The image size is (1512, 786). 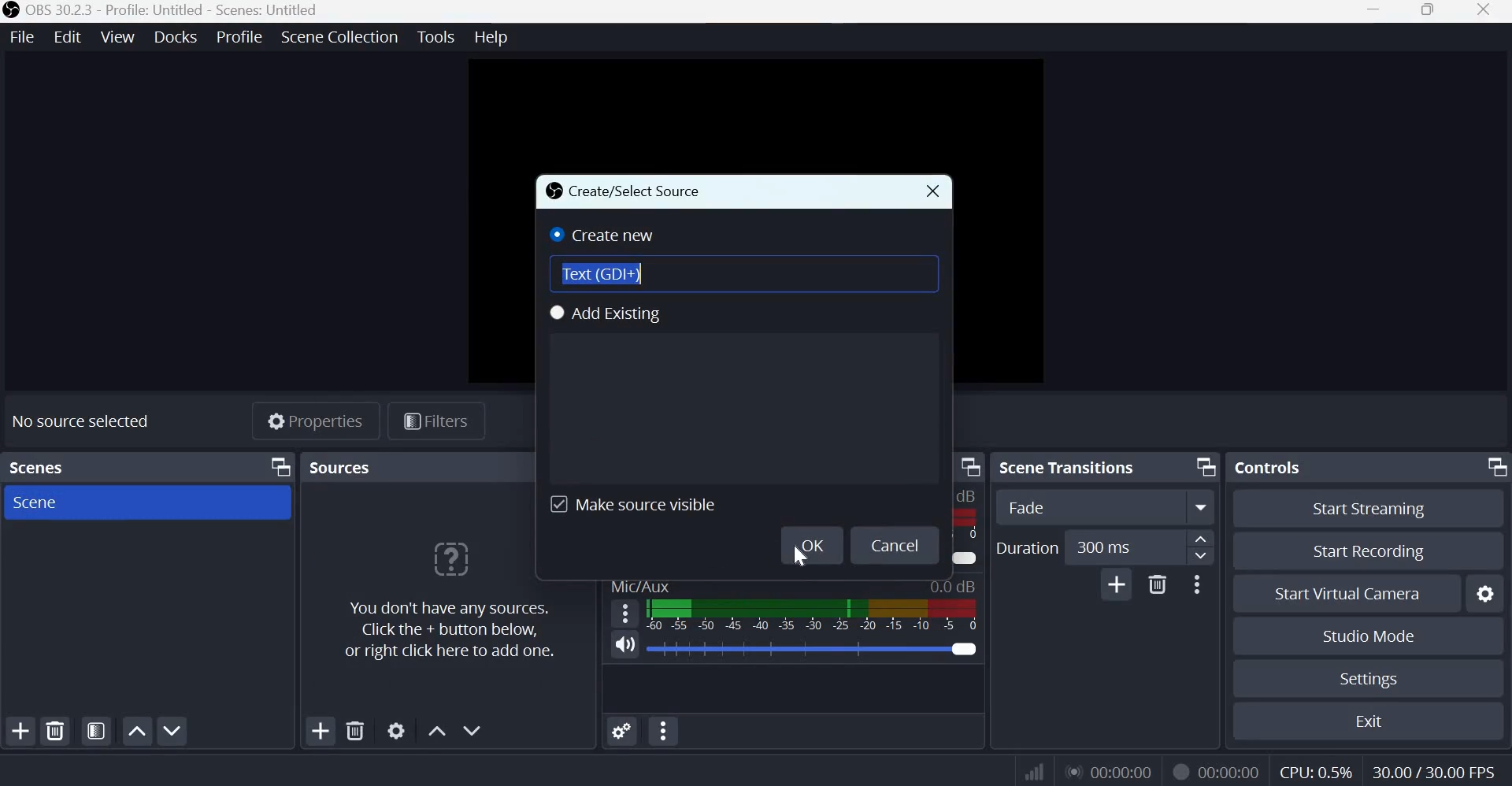 What do you see at coordinates (37, 468) in the screenshot?
I see `Scenes` at bounding box center [37, 468].